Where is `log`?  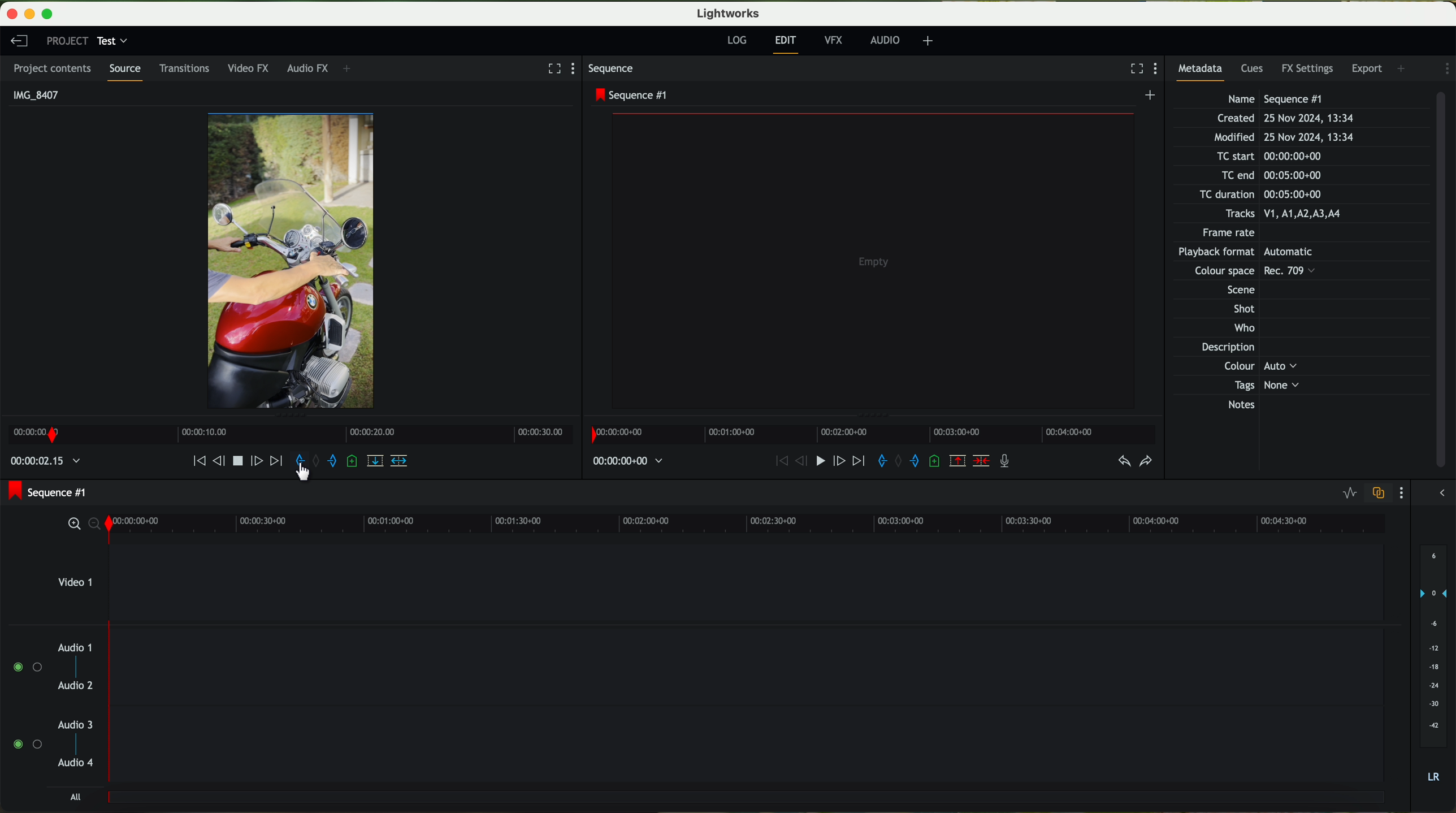 log is located at coordinates (738, 41).